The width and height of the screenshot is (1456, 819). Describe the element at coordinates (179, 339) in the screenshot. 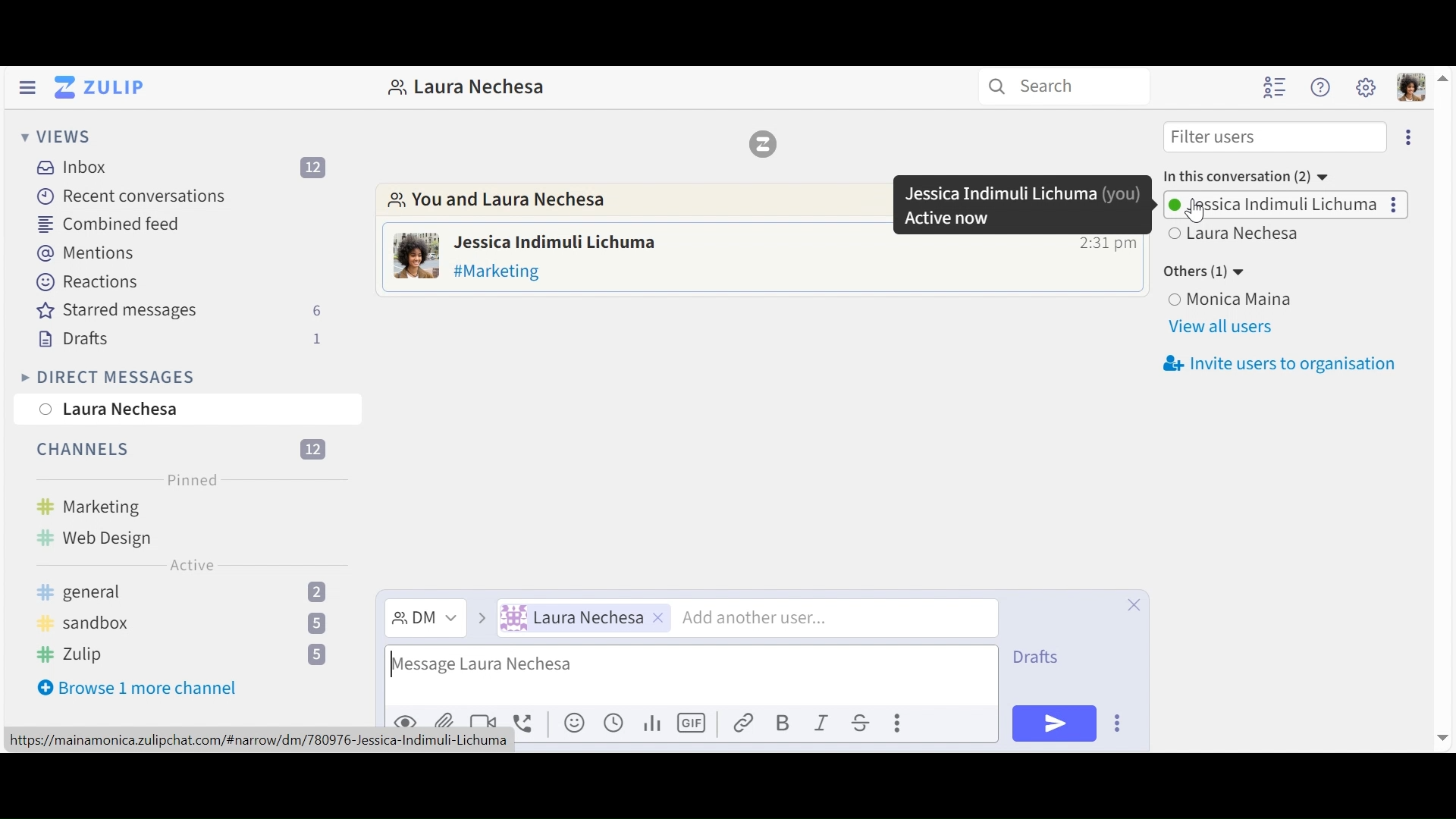

I see `Drafts` at that location.